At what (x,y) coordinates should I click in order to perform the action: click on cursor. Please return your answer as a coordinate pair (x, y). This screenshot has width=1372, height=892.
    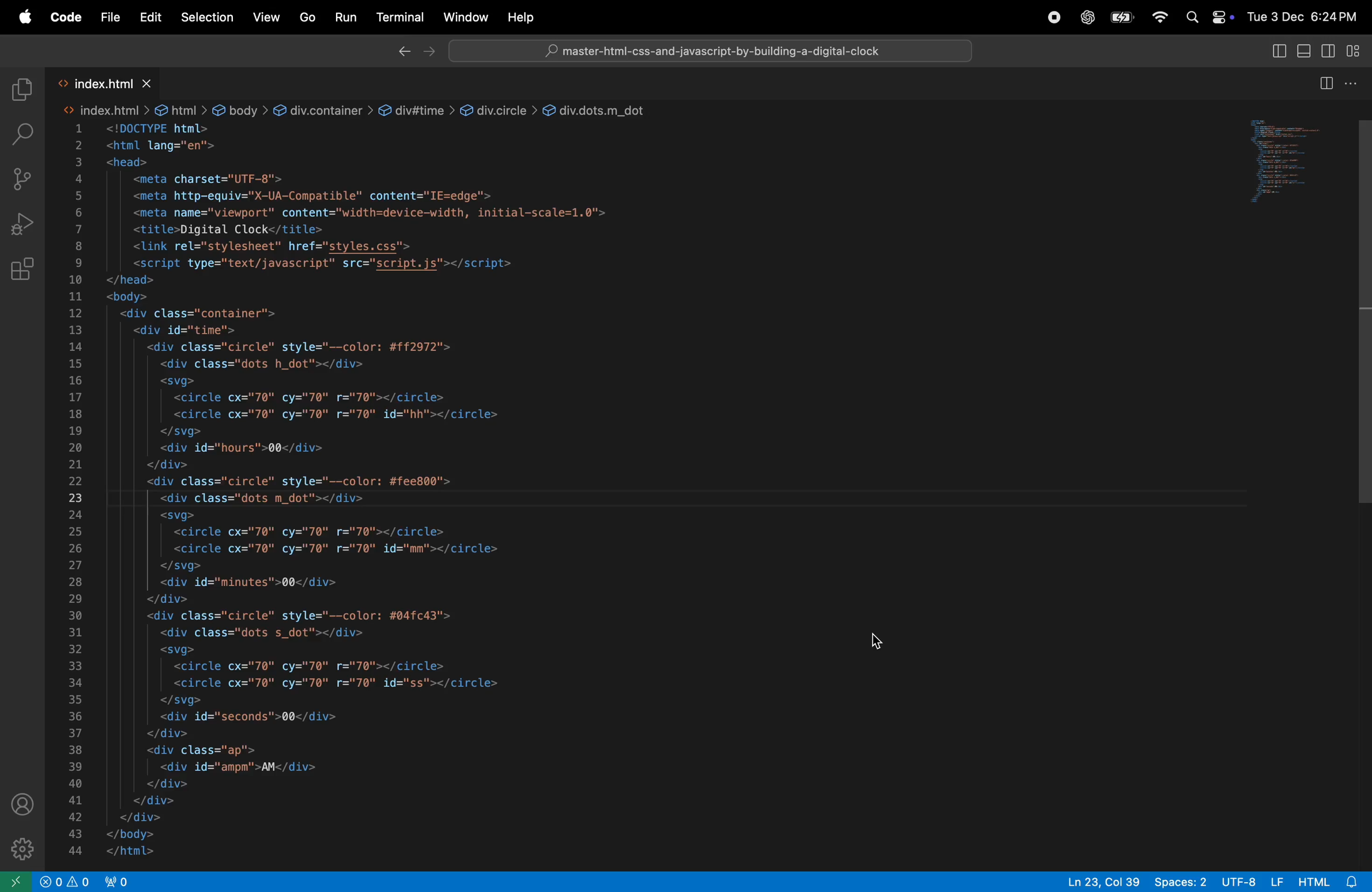
    Looking at the image, I should click on (874, 645).